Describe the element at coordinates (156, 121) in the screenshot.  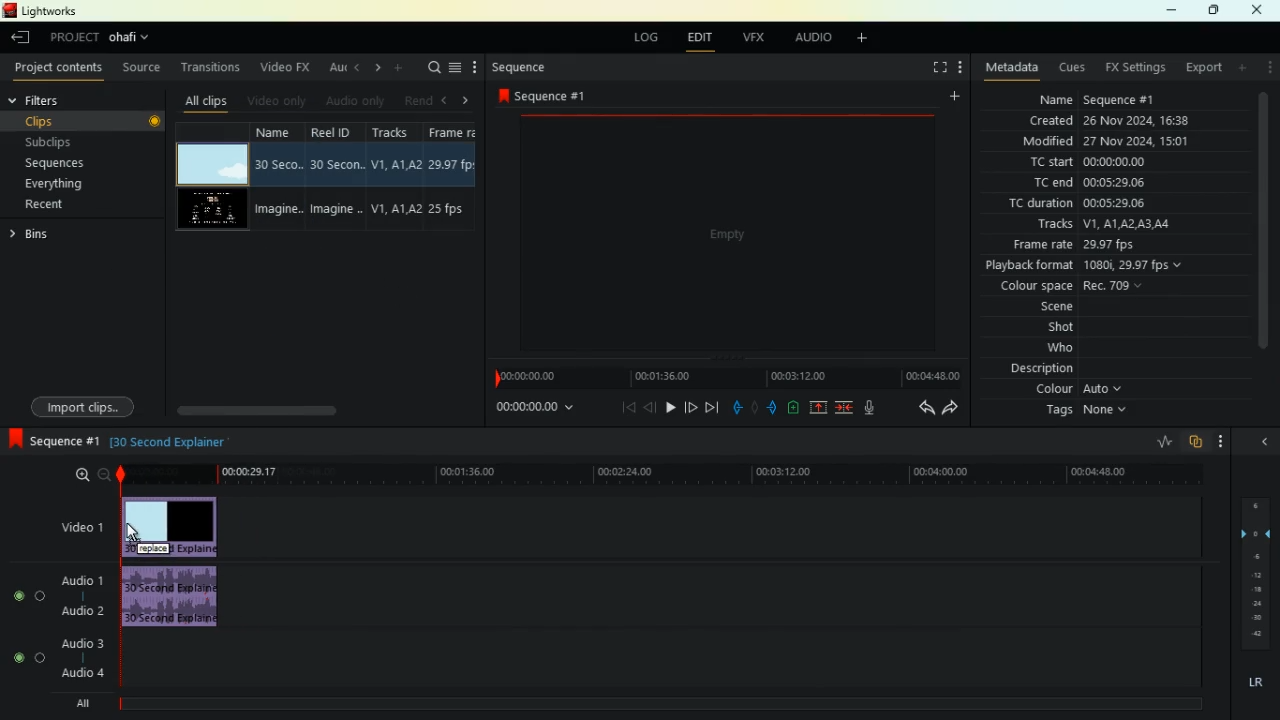
I see `Record` at that location.